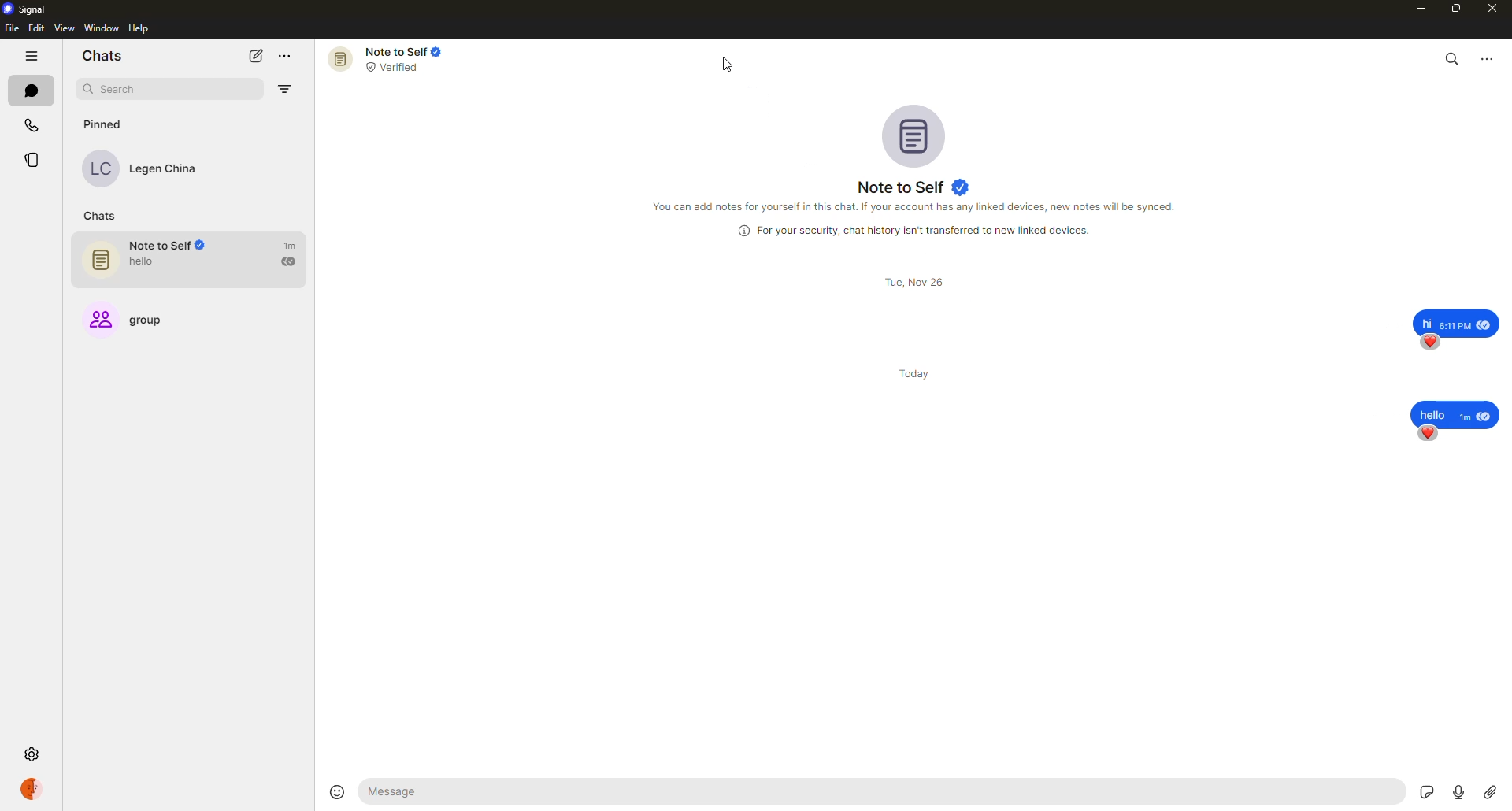 This screenshot has width=1512, height=811. Describe the element at coordinates (35, 161) in the screenshot. I see `stories` at that location.